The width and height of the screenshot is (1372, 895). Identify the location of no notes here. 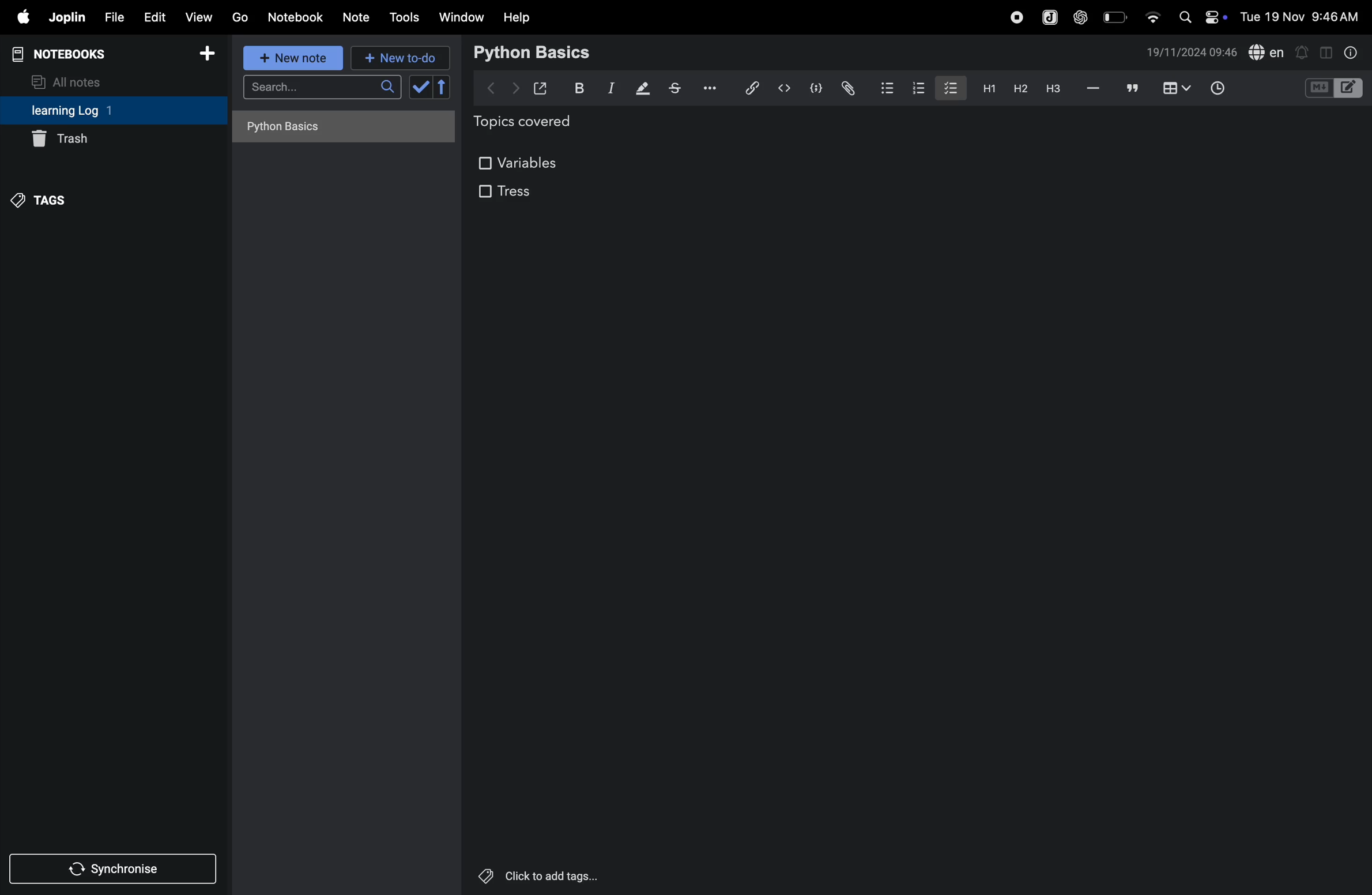
(340, 130).